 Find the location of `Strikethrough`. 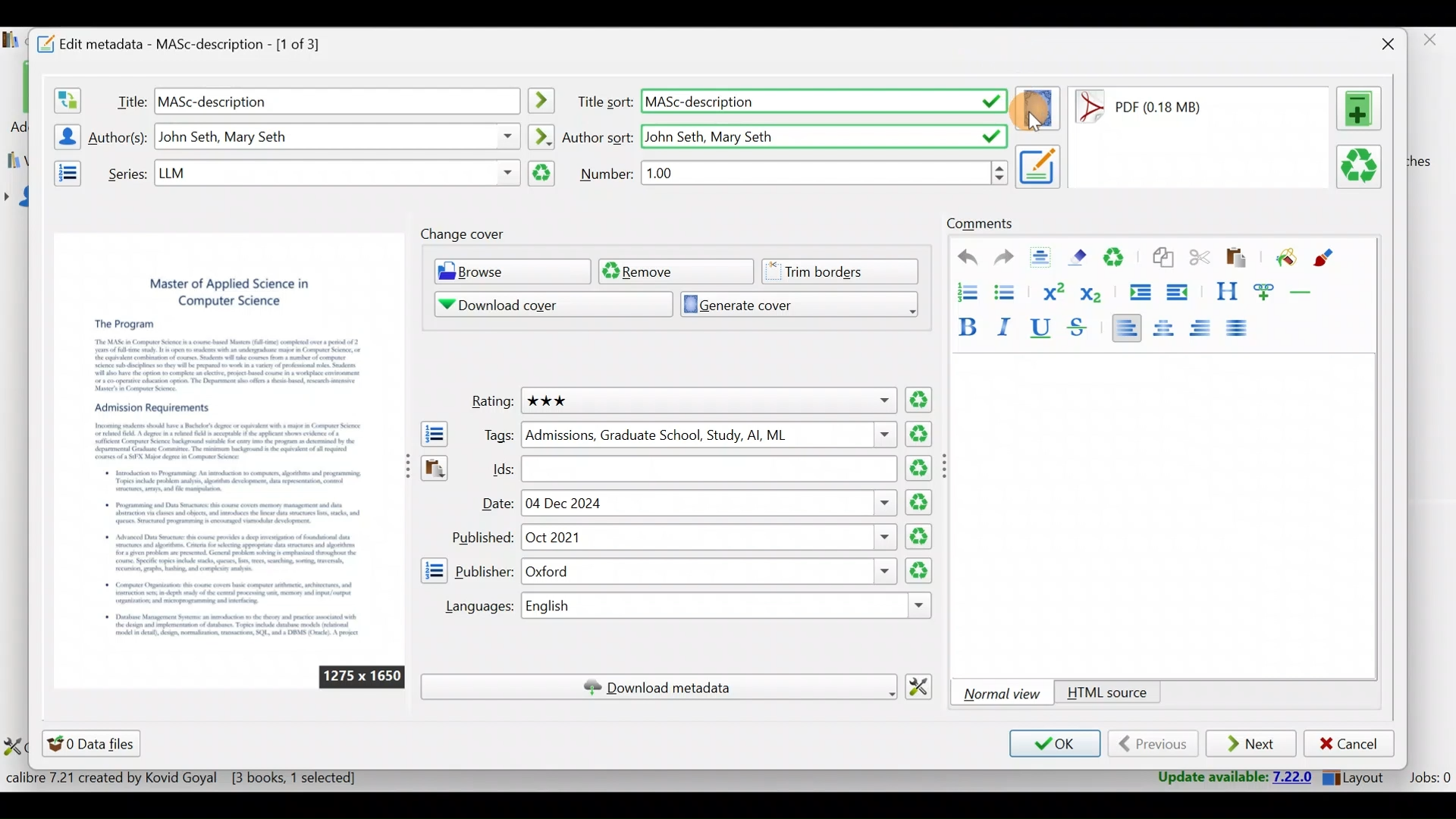

Strikethrough is located at coordinates (1079, 329).